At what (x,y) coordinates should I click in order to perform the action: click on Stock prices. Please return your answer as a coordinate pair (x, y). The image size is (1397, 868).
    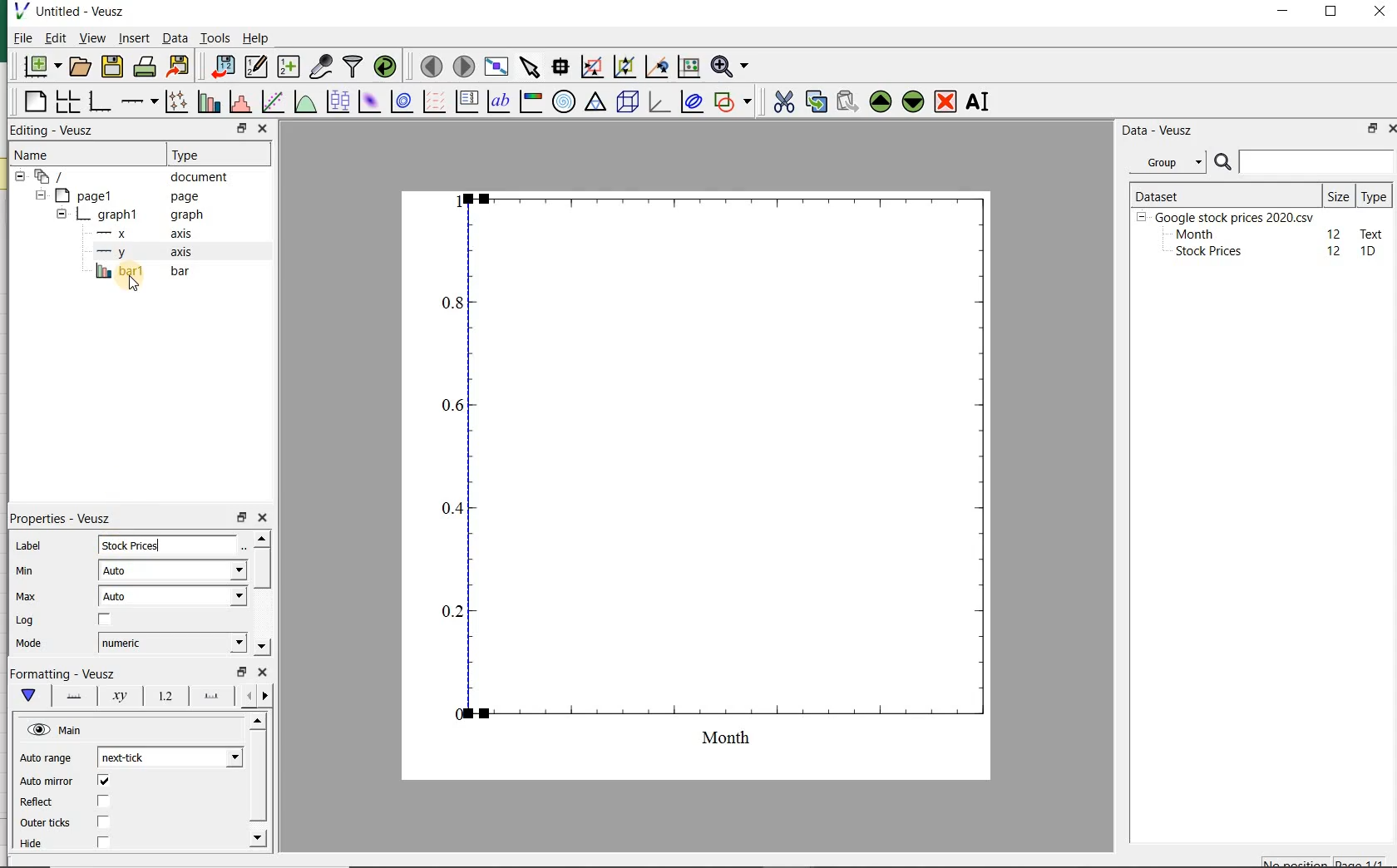
    Looking at the image, I should click on (1201, 252).